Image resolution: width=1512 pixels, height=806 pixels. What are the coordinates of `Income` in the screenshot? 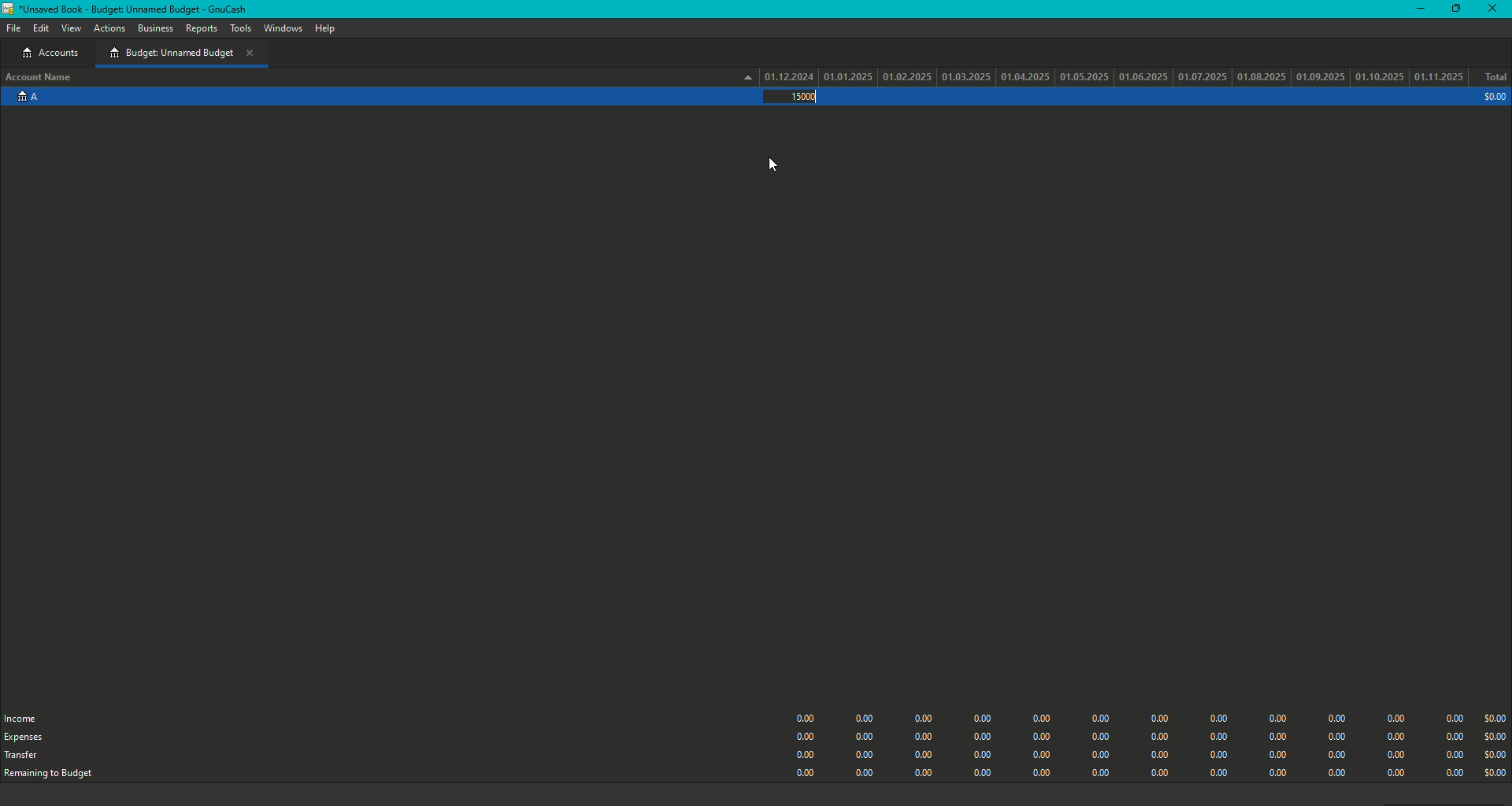 It's located at (25, 717).